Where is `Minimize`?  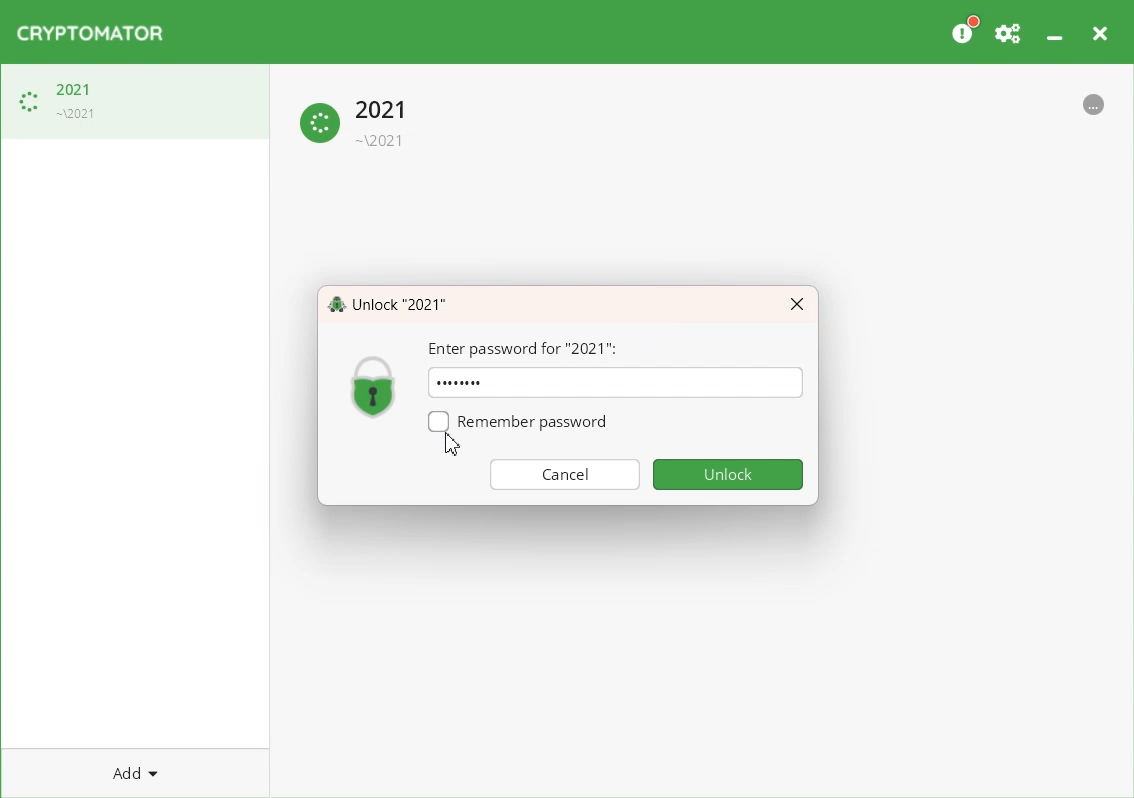
Minimize is located at coordinates (1054, 29).